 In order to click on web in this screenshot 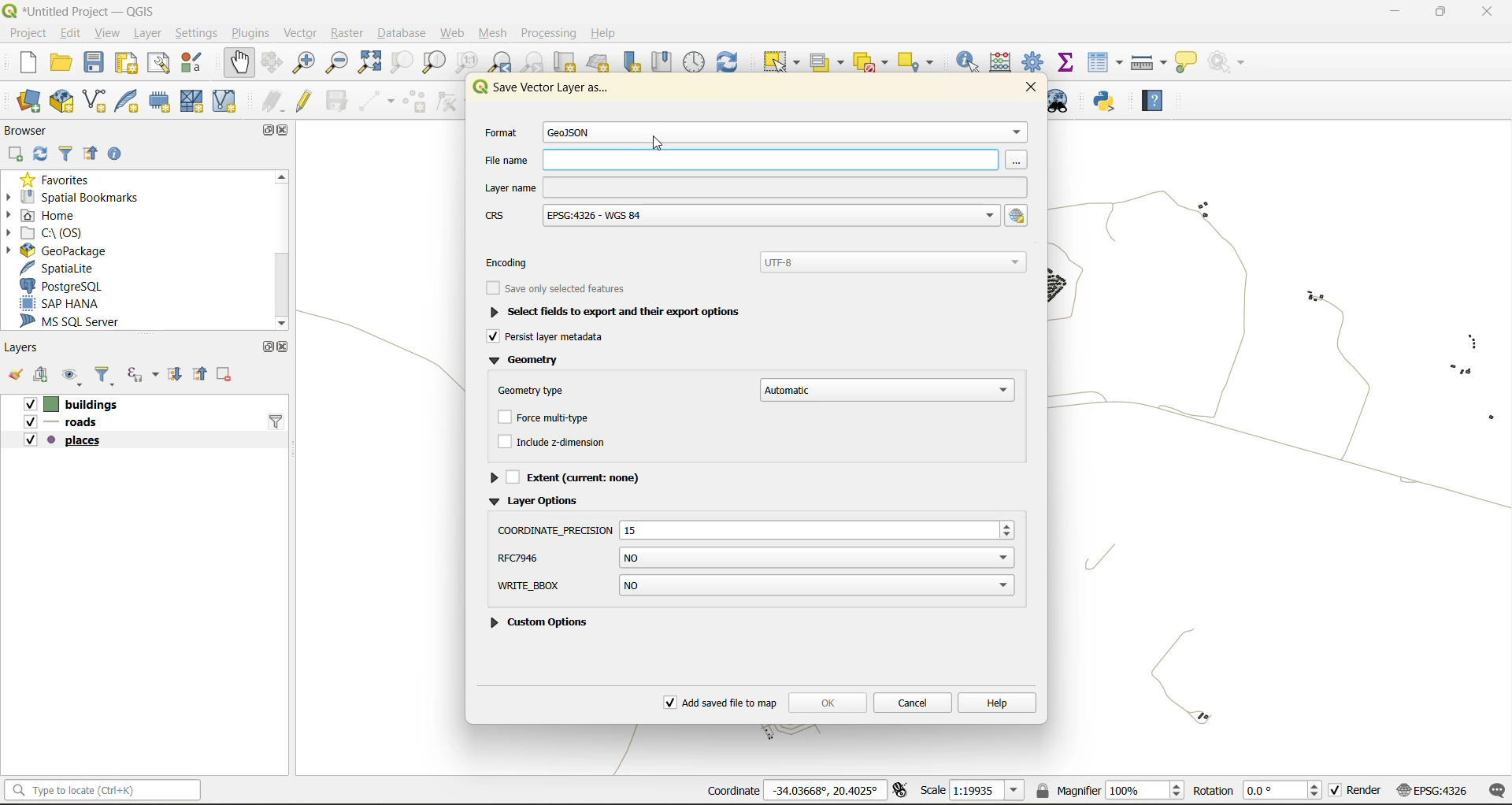, I will do `click(450, 33)`.